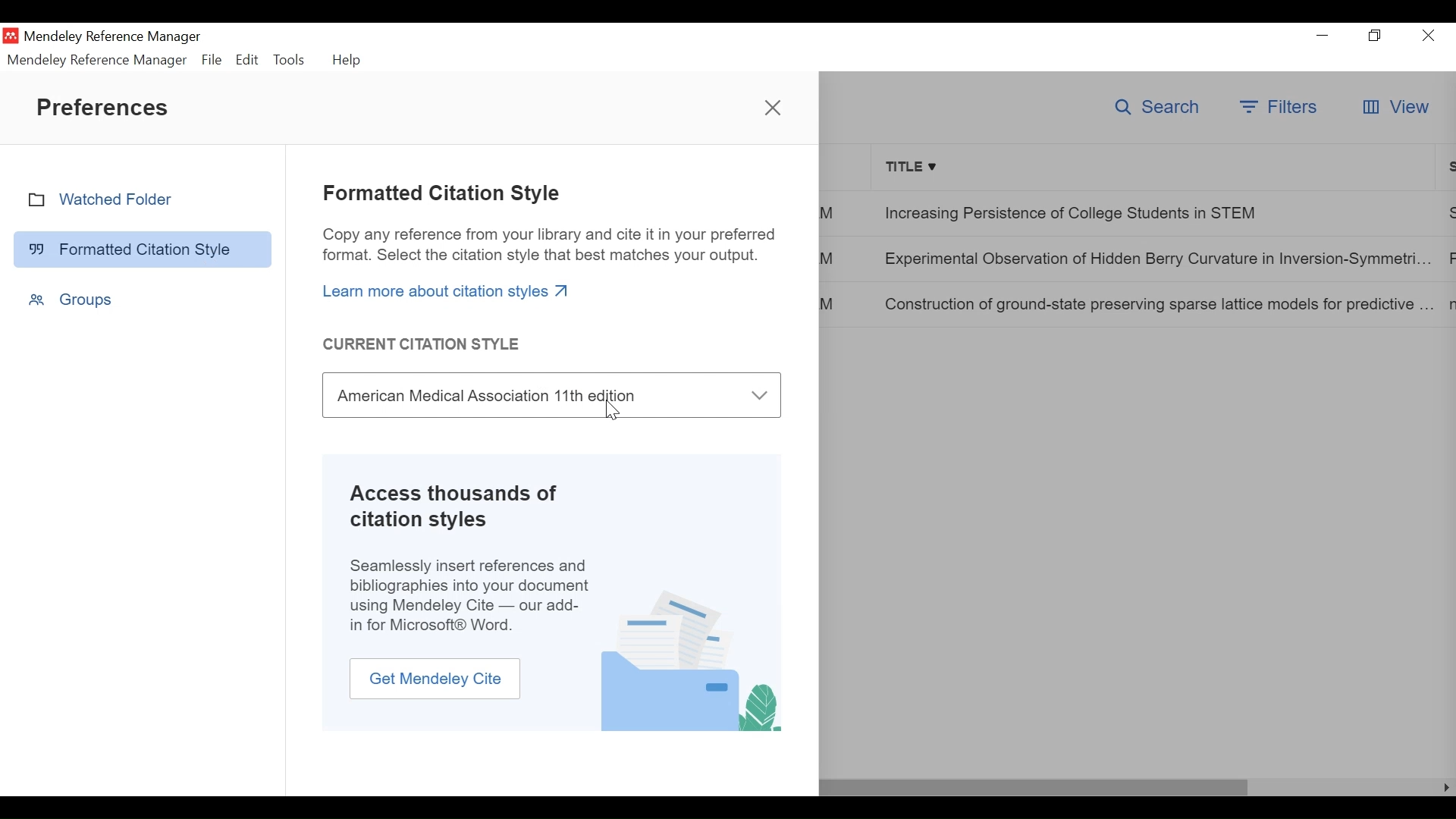 This screenshot has width=1456, height=819. Describe the element at coordinates (289, 58) in the screenshot. I see `Tools` at that location.